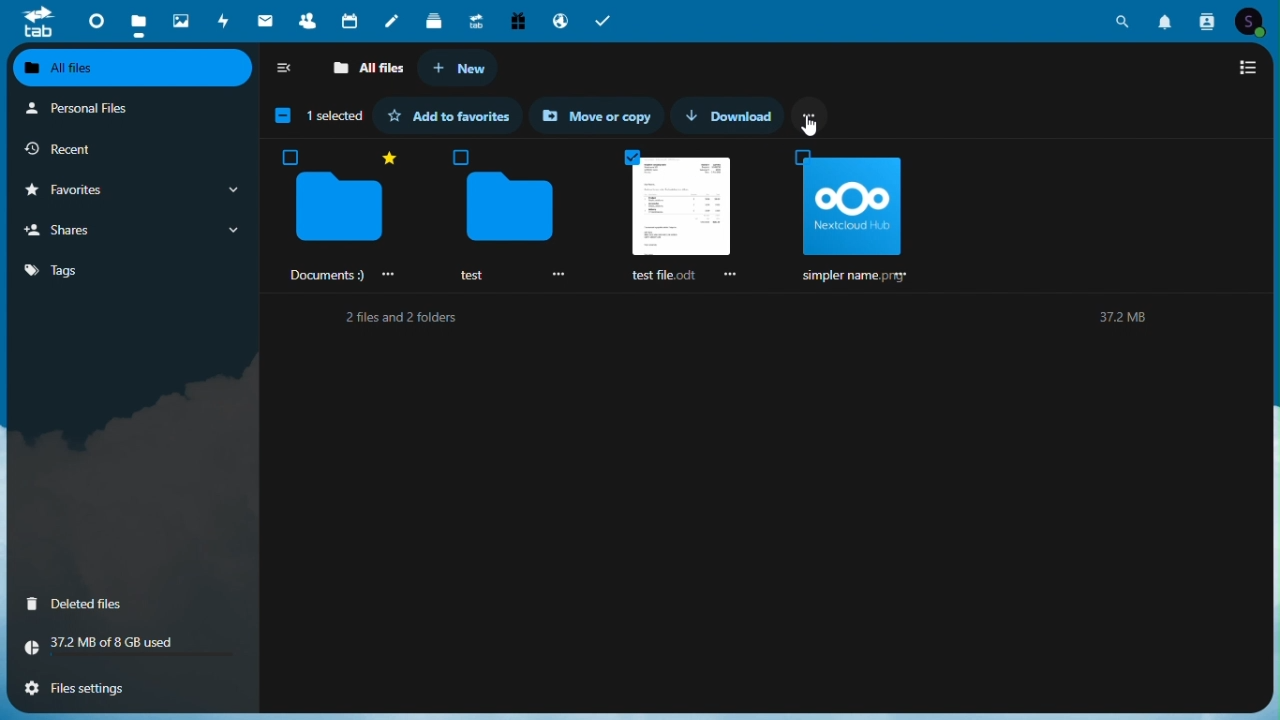 The image size is (1280, 720). Describe the element at coordinates (399, 316) in the screenshot. I see `2 files and 2 folders` at that location.